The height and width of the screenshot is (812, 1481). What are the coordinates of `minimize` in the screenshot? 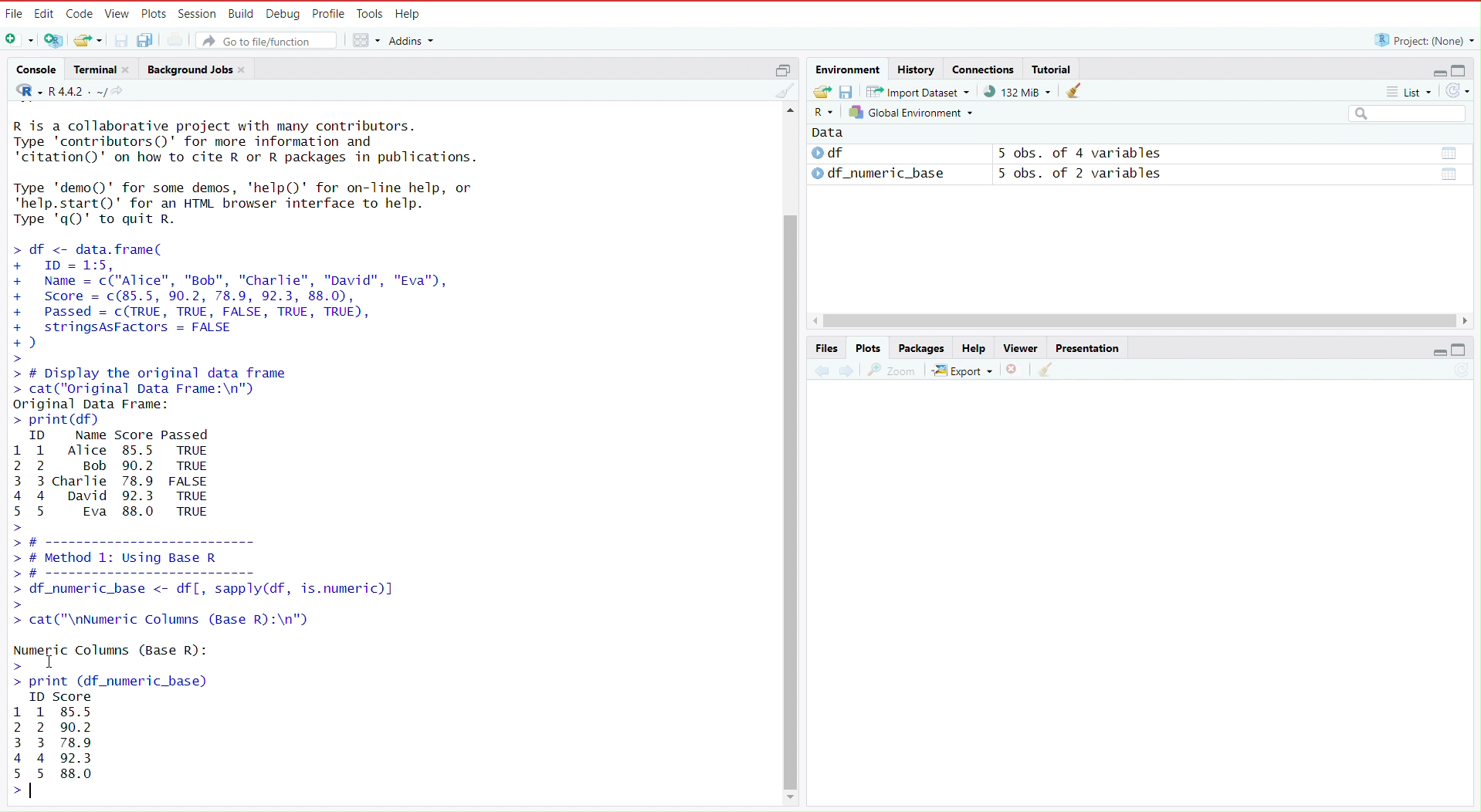 It's located at (1438, 350).